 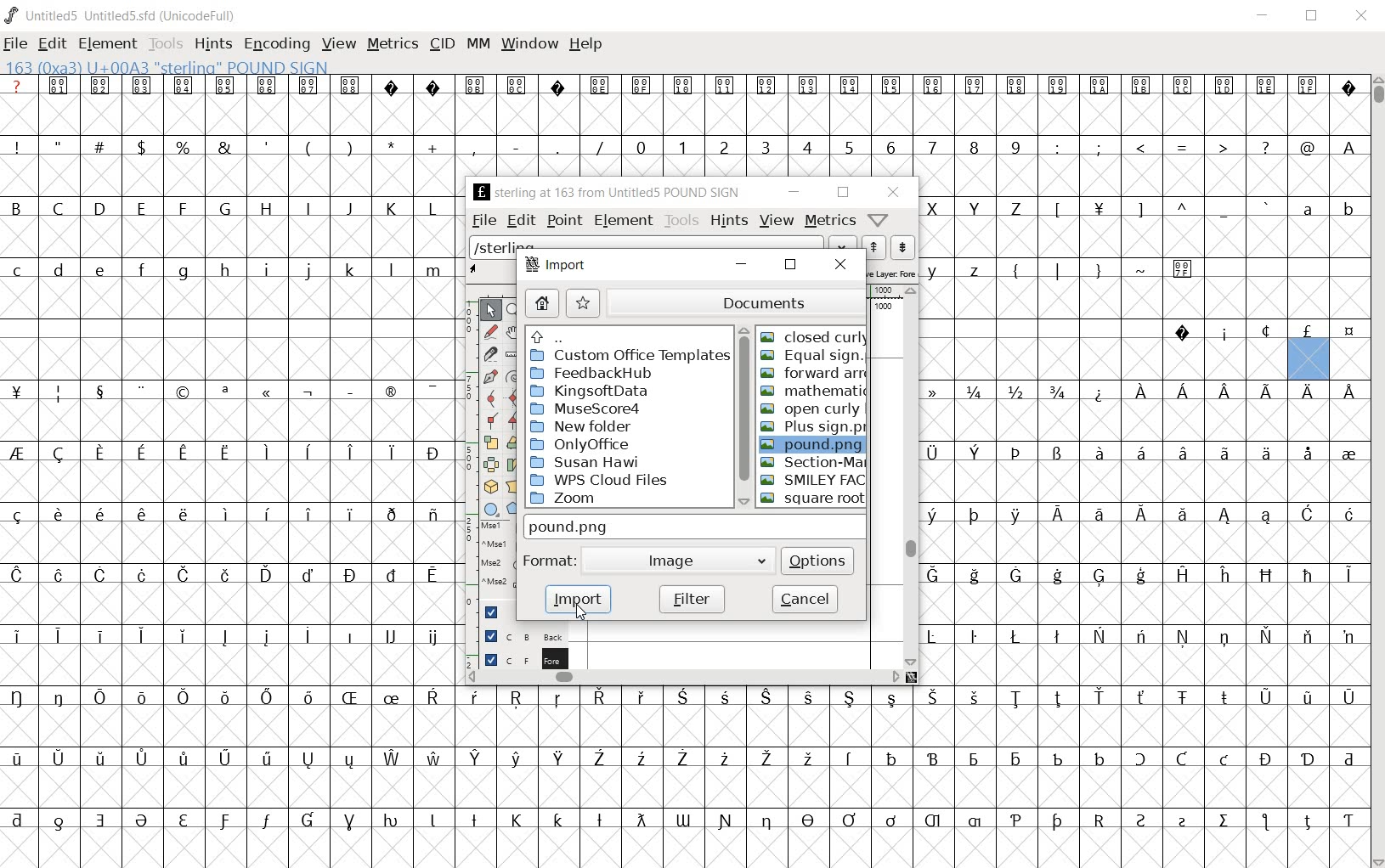 I want to click on edit, so click(x=523, y=219).